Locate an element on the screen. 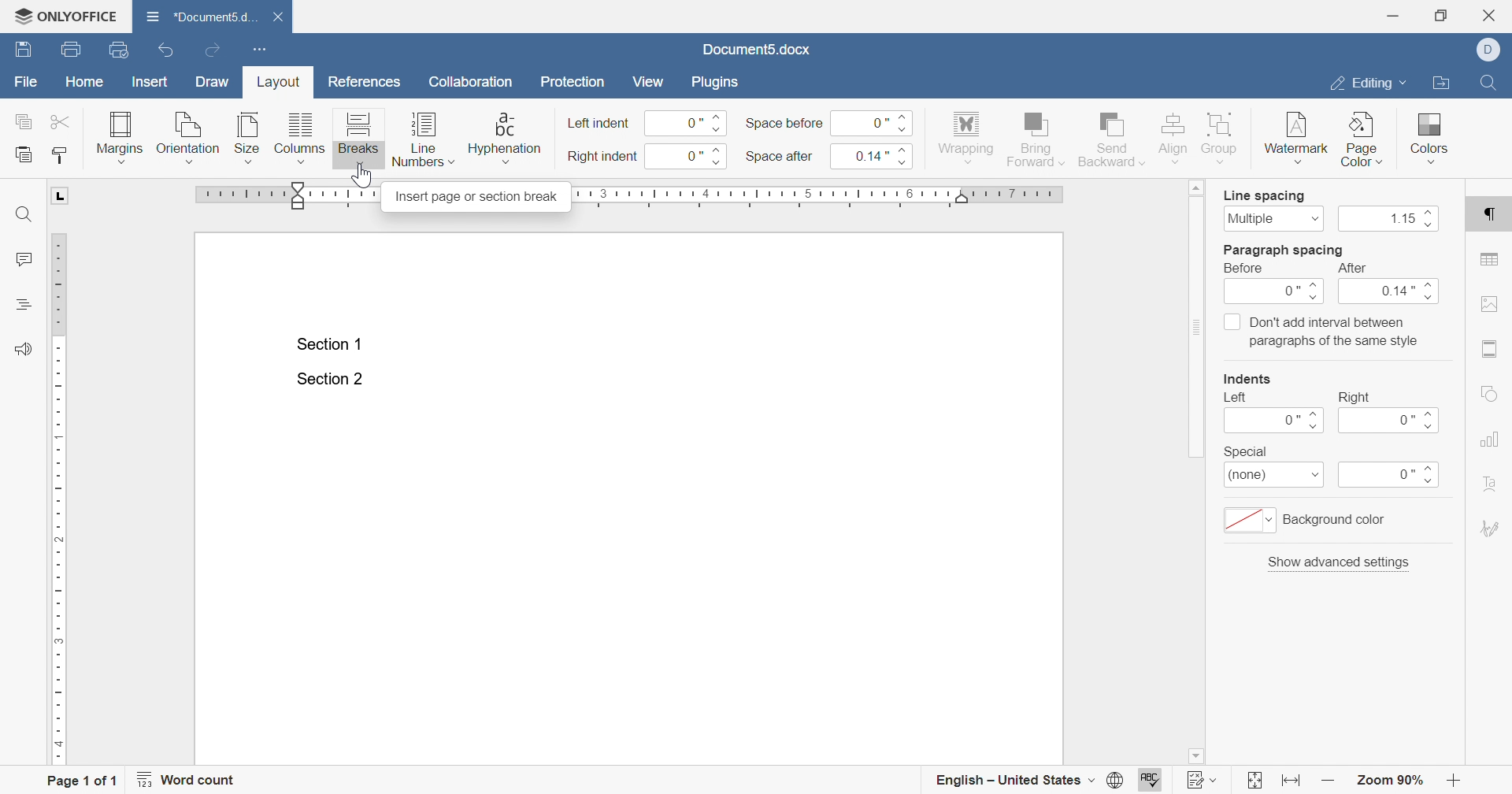  0 is located at coordinates (1273, 421).